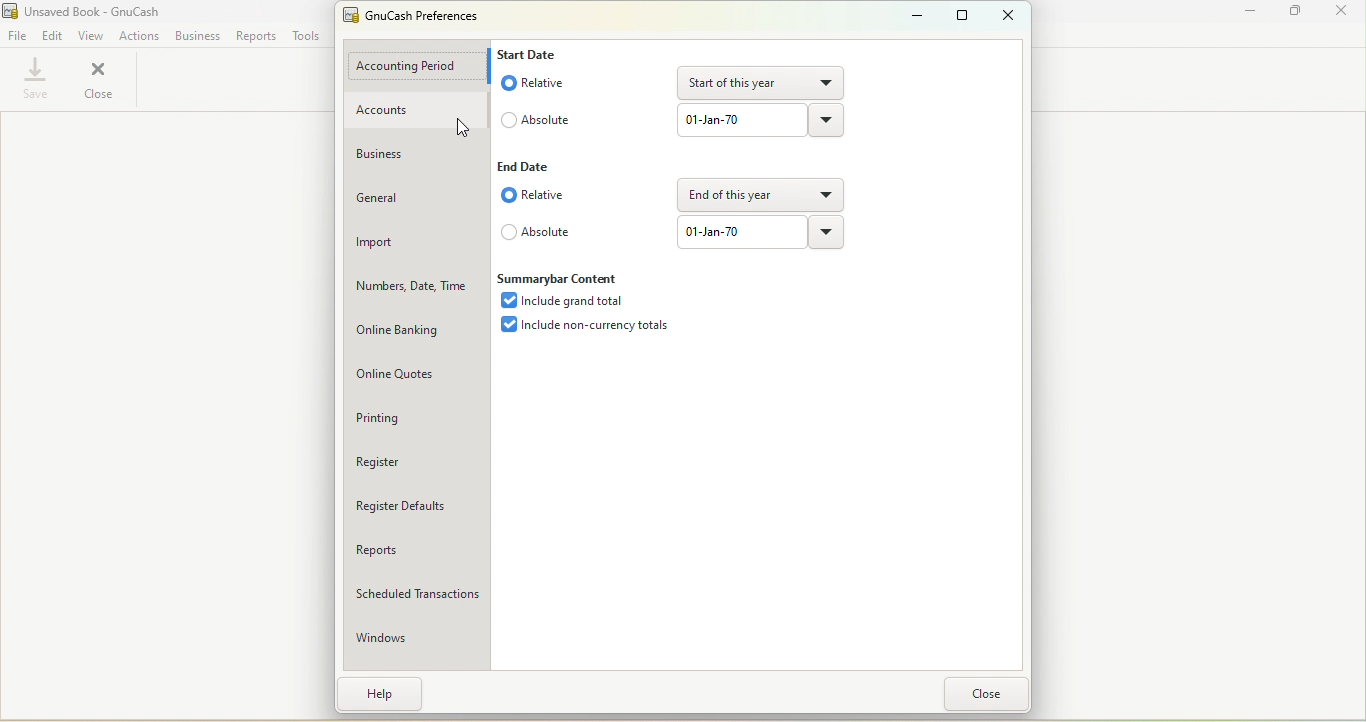 The width and height of the screenshot is (1366, 722). What do you see at coordinates (463, 126) in the screenshot?
I see `cursor` at bounding box center [463, 126].